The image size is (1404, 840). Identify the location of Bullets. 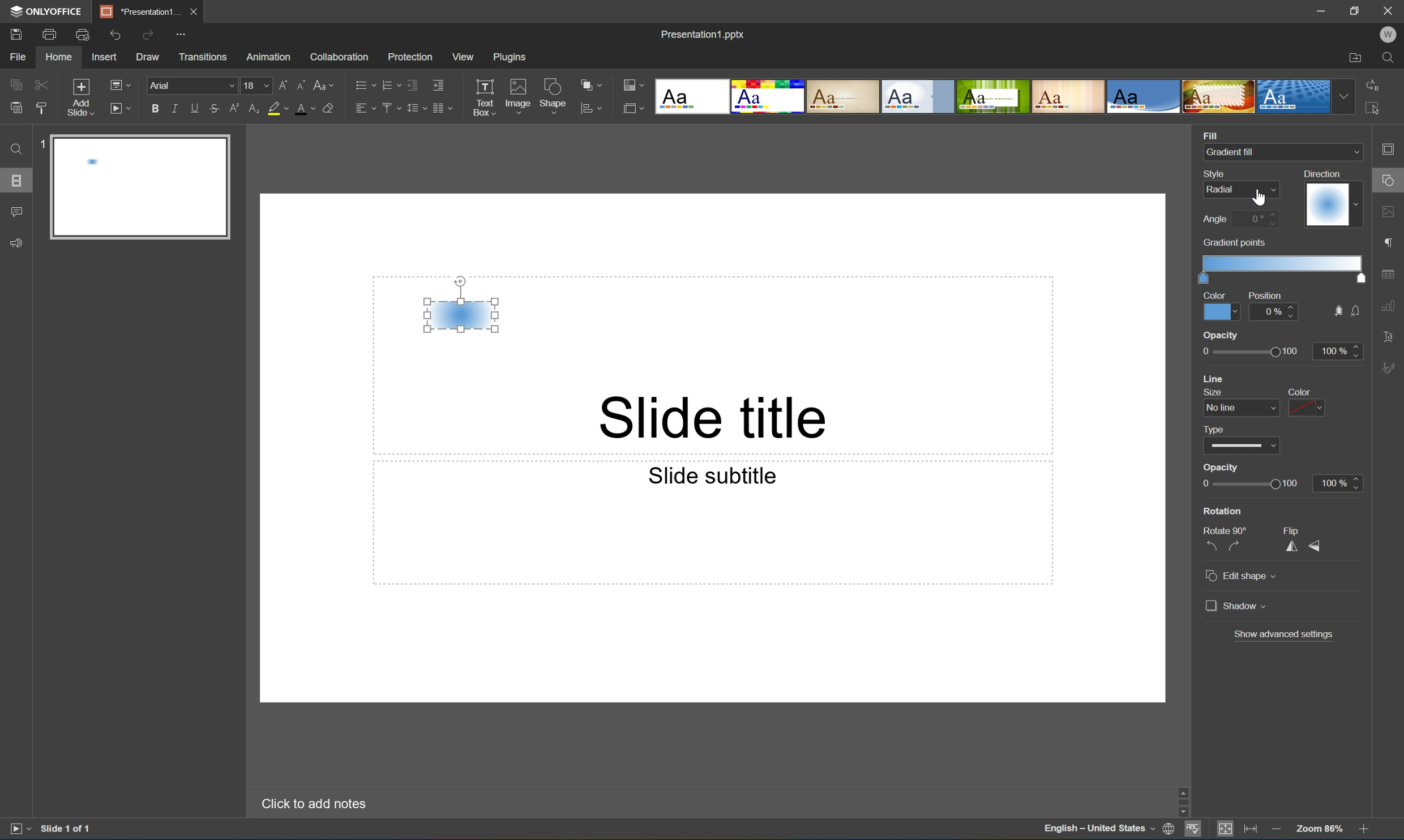
(362, 83).